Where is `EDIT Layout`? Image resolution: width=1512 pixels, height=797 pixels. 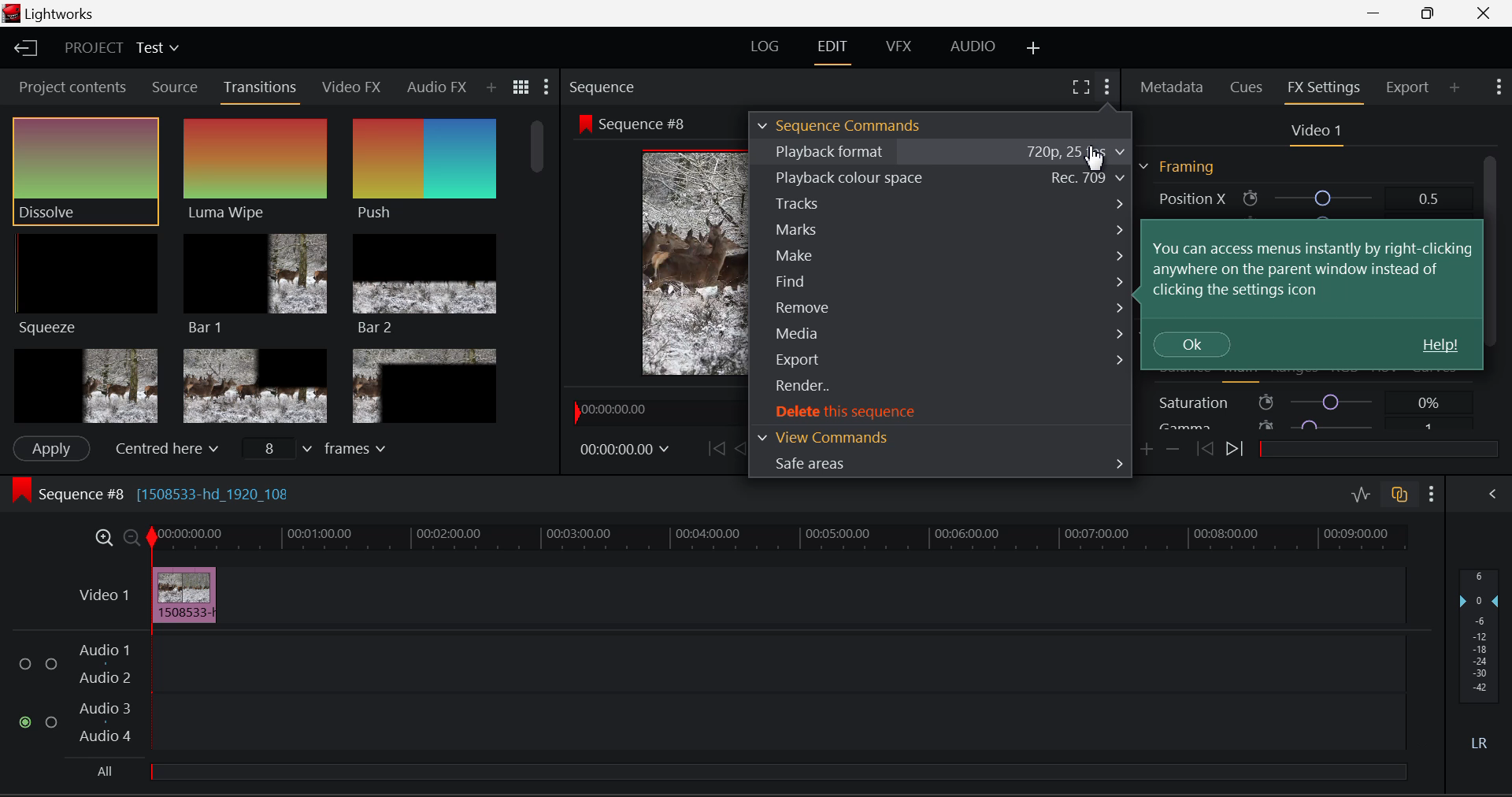 EDIT Layout is located at coordinates (832, 50).